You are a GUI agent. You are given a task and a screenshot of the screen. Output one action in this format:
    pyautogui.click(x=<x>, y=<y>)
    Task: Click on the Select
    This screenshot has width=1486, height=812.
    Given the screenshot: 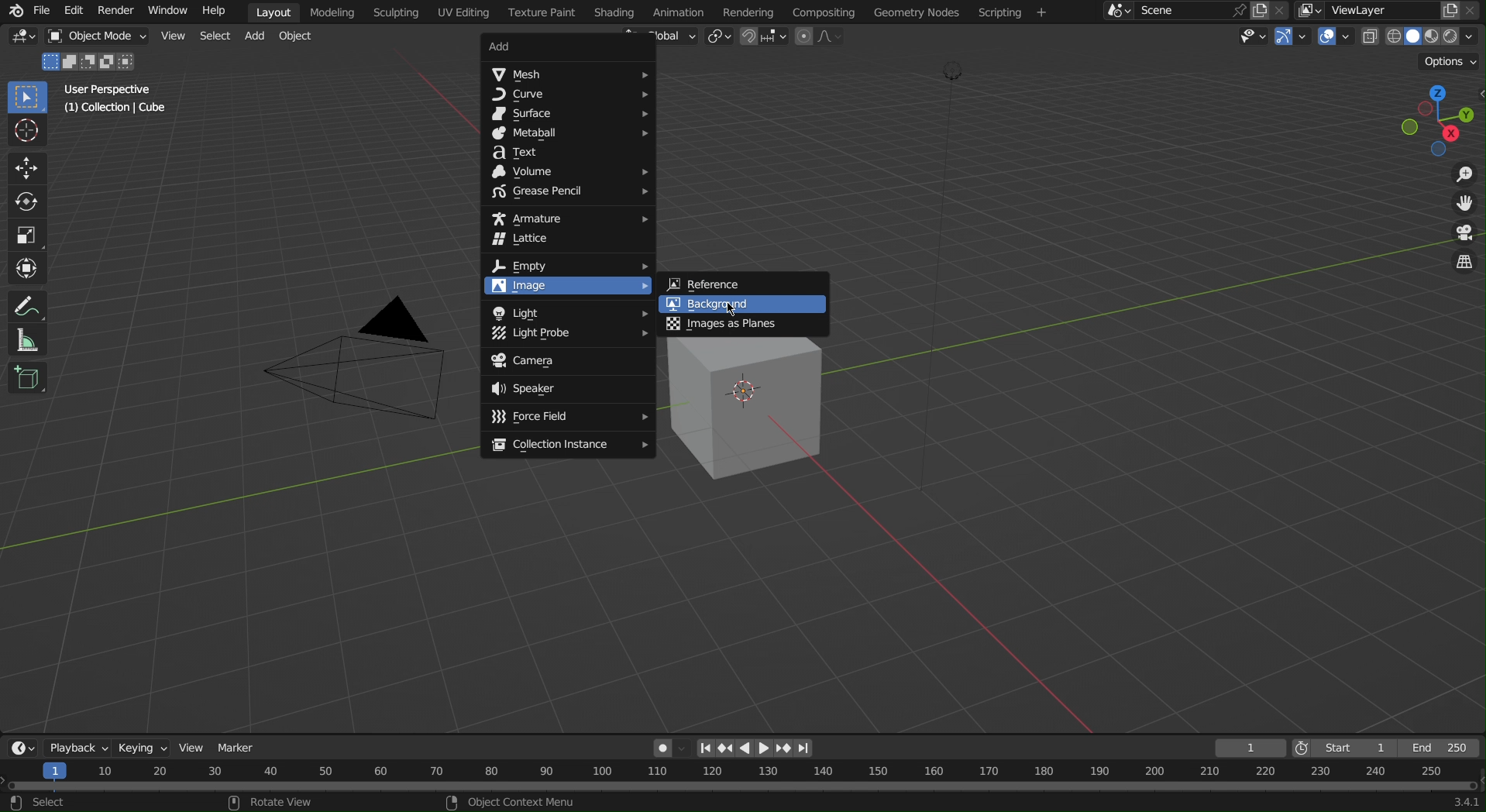 What is the action you would take?
    pyautogui.click(x=214, y=37)
    